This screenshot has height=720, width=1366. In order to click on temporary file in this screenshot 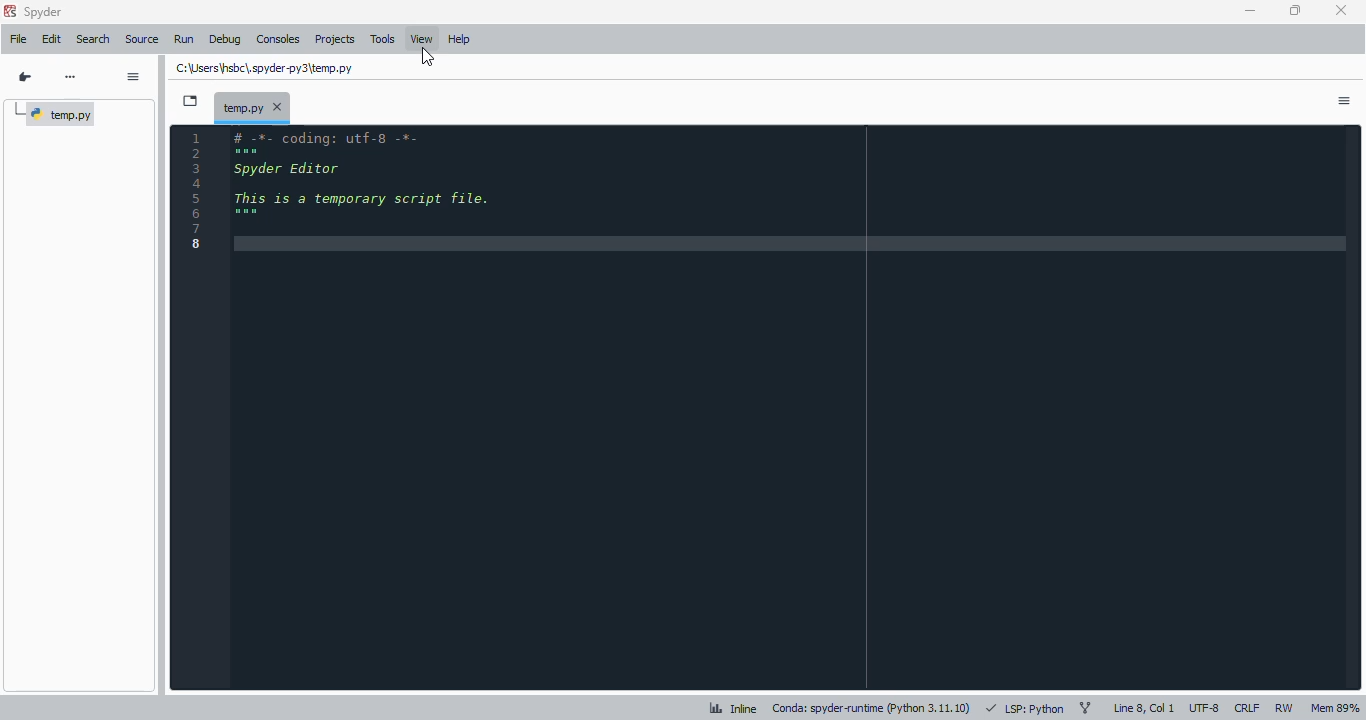, I will do `click(264, 69)`.